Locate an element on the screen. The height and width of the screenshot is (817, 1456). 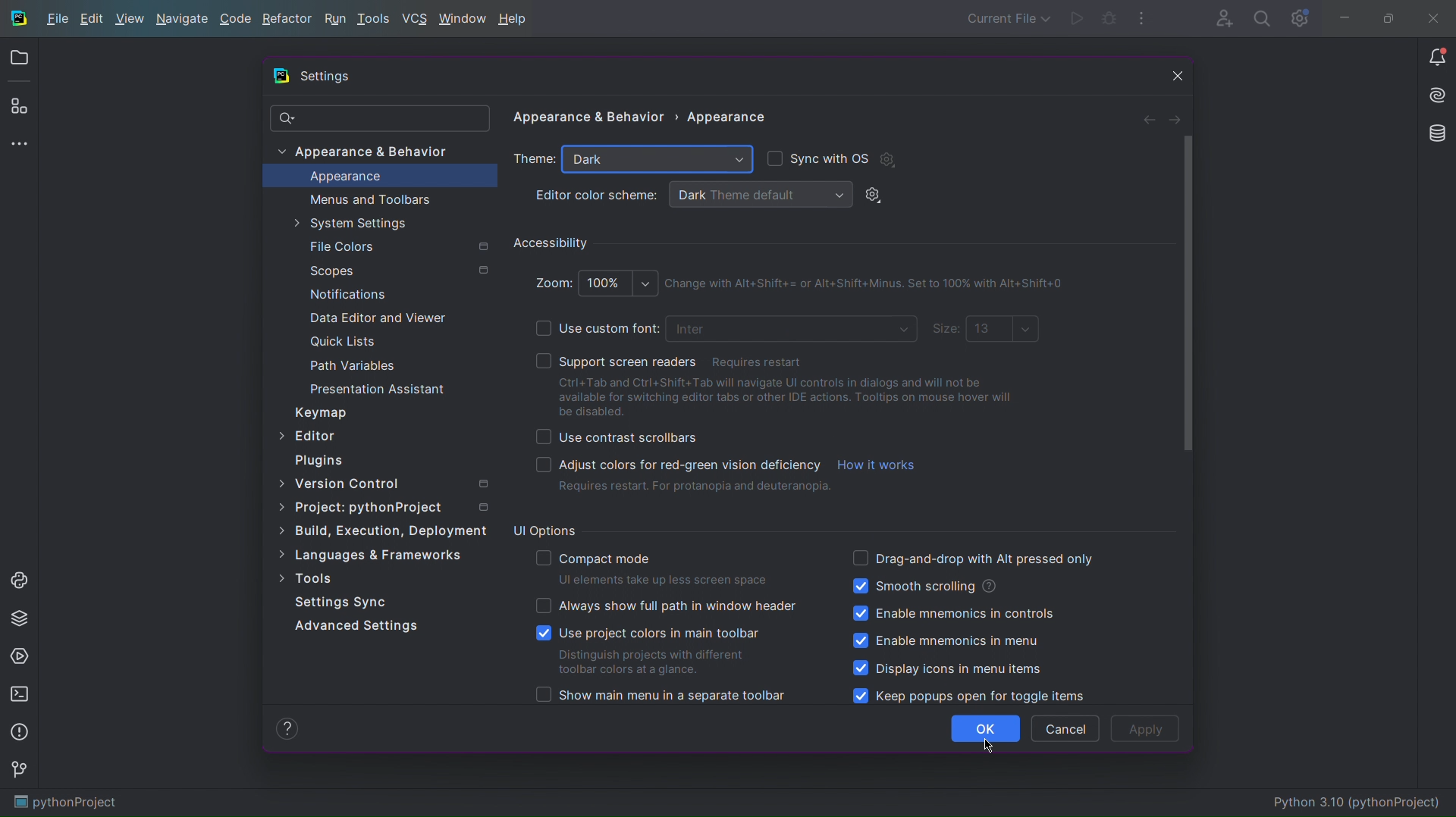
Window is located at coordinates (464, 17).